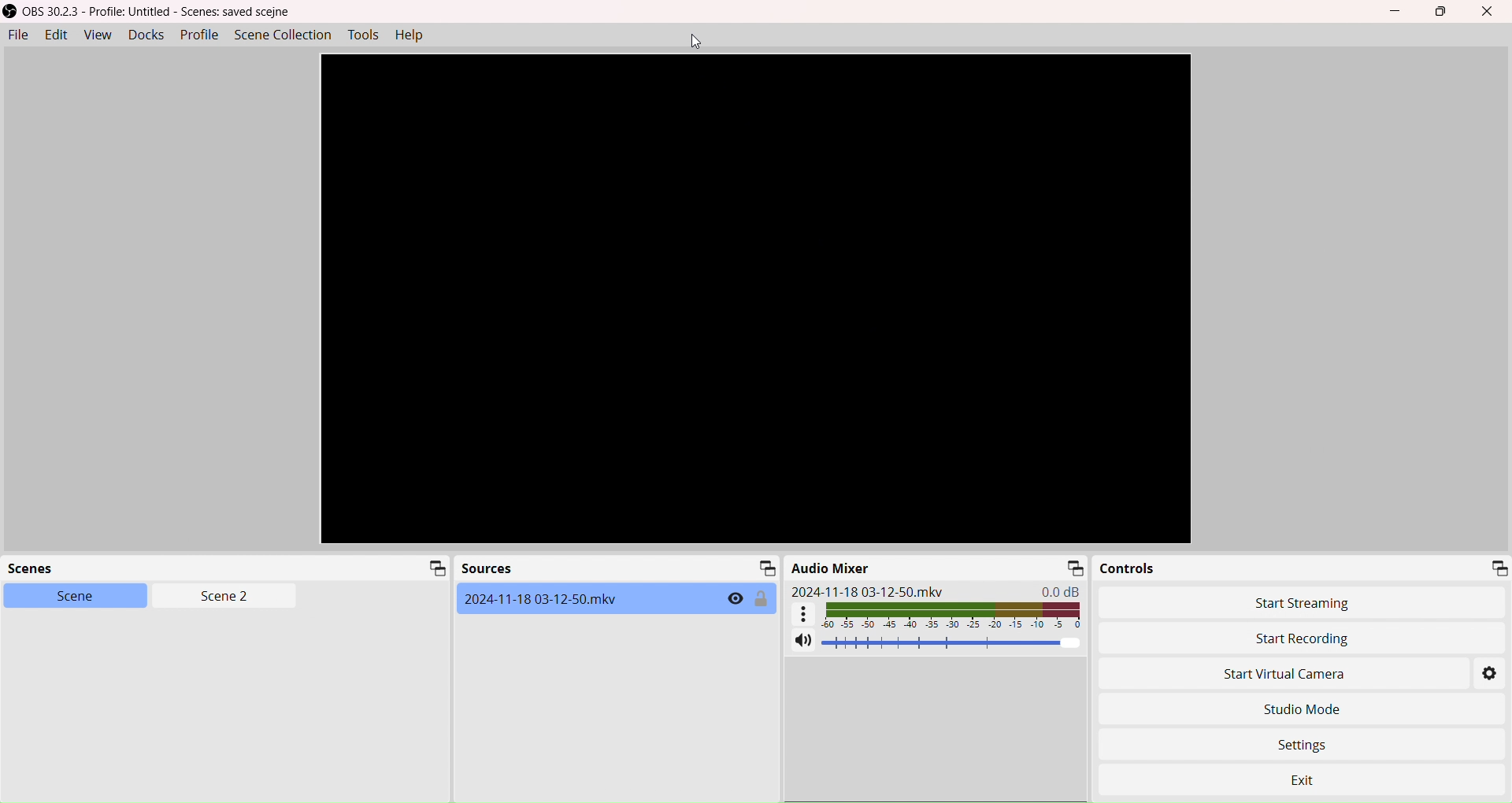 The image size is (1512, 803). Describe the element at coordinates (755, 299) in the screenshot. I see `Video preview` at that location.